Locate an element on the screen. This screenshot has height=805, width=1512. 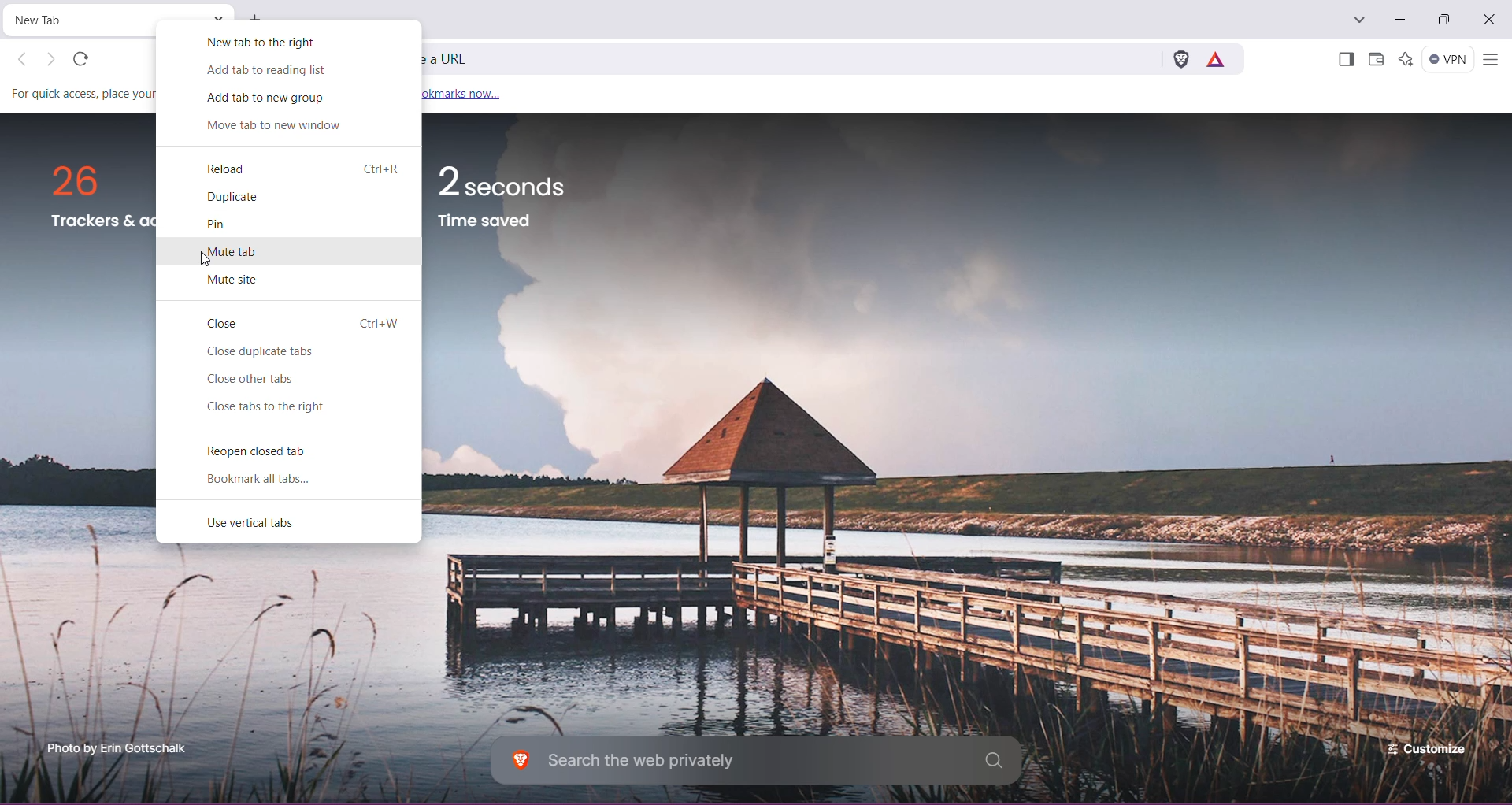
refresh is located at coordinates (87, 61).